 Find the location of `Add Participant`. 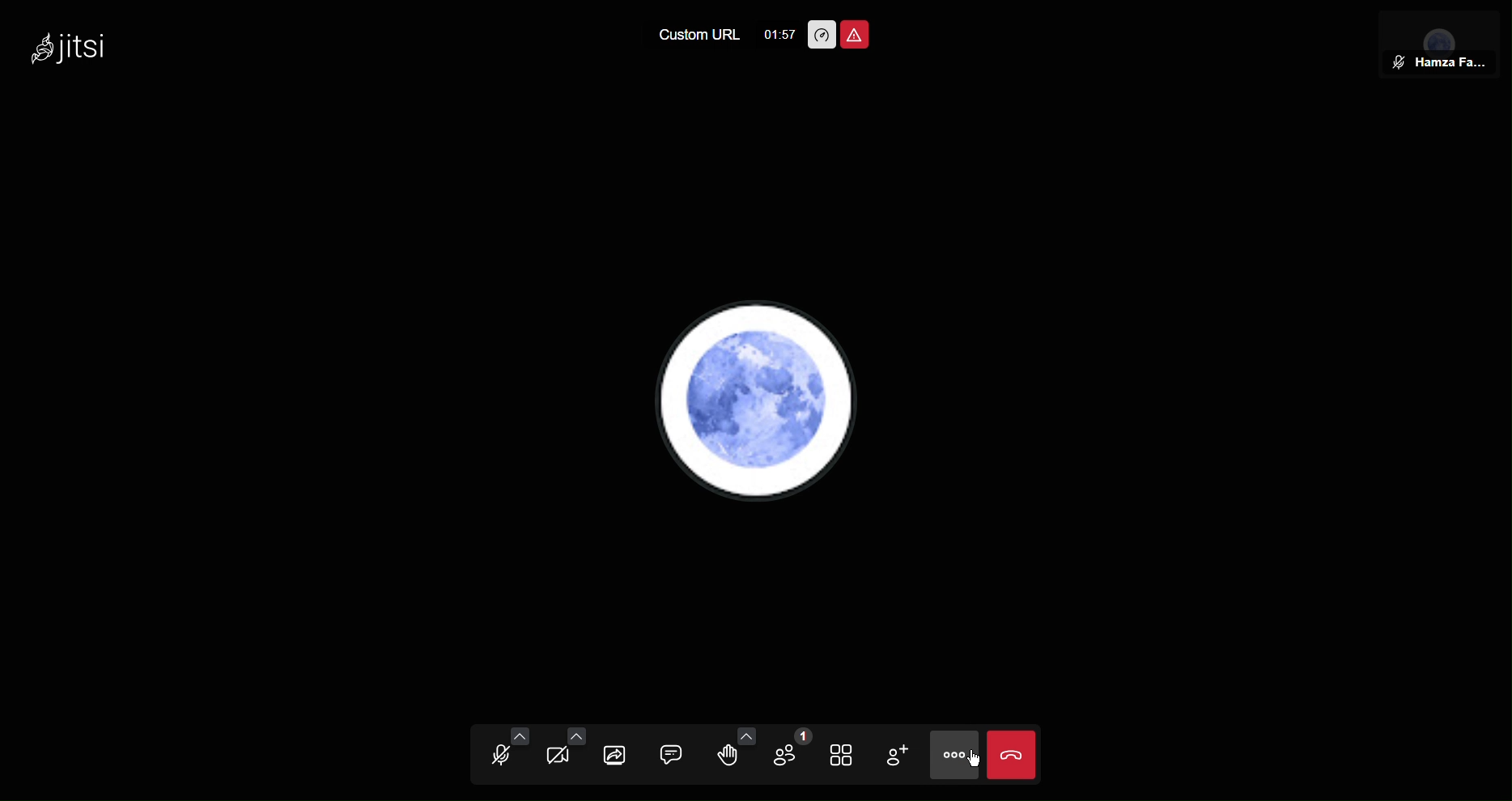

Add Participant is located at coordinates (904, 755).